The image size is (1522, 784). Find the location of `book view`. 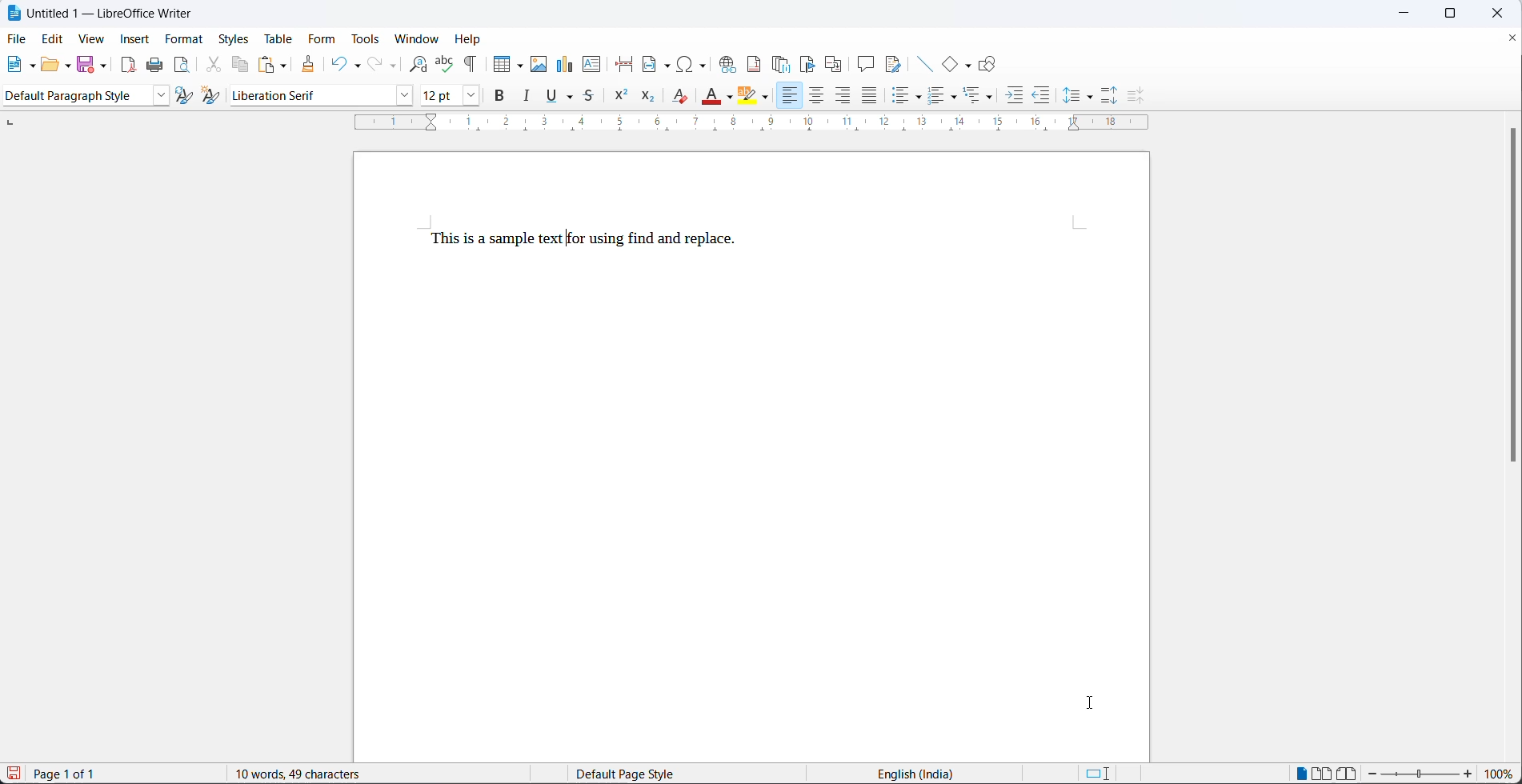

book view is located at coordinates (1348, 773).